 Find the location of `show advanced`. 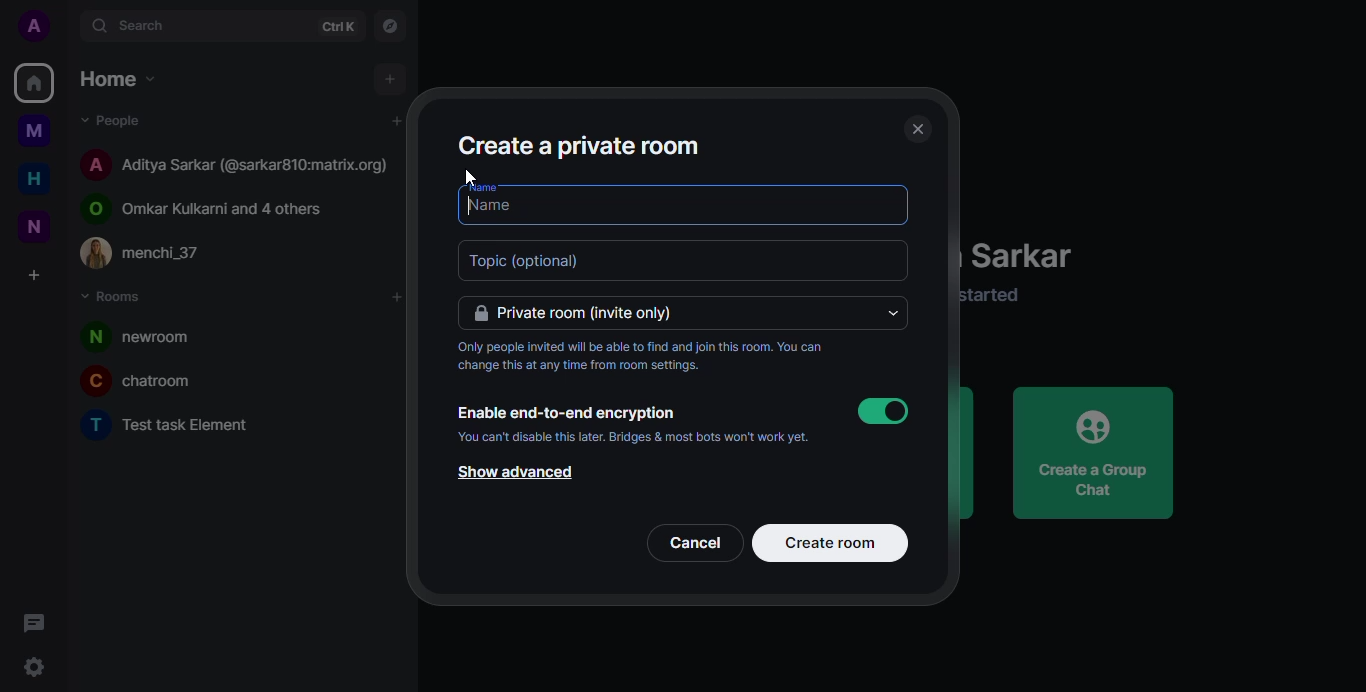

show advanced is located at coordinates (516, 473).